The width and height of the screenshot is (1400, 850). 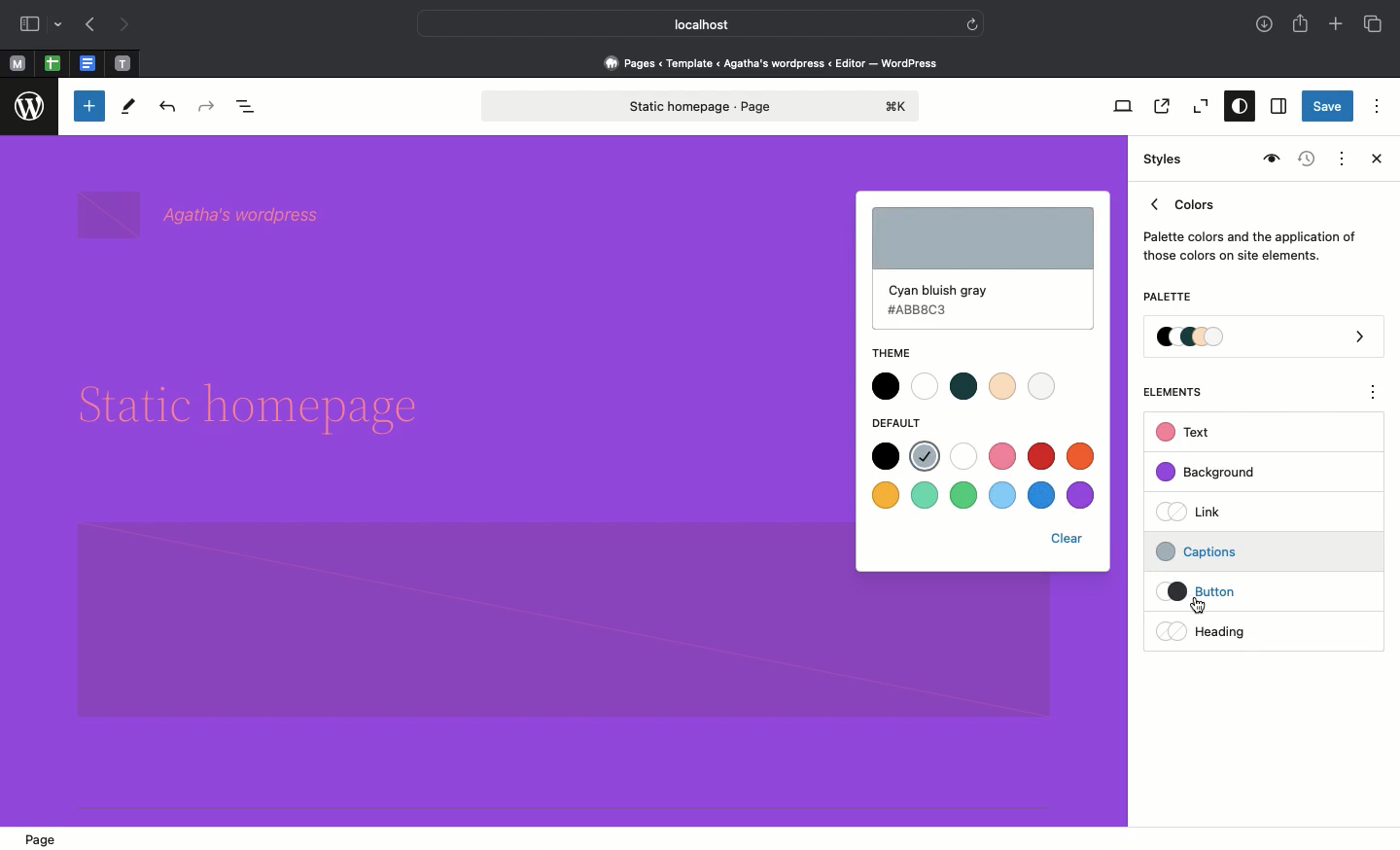 What do you see at coordinates (61, 25) in the screenshot?
I see `drop-down` at bounding box center [61, 25].